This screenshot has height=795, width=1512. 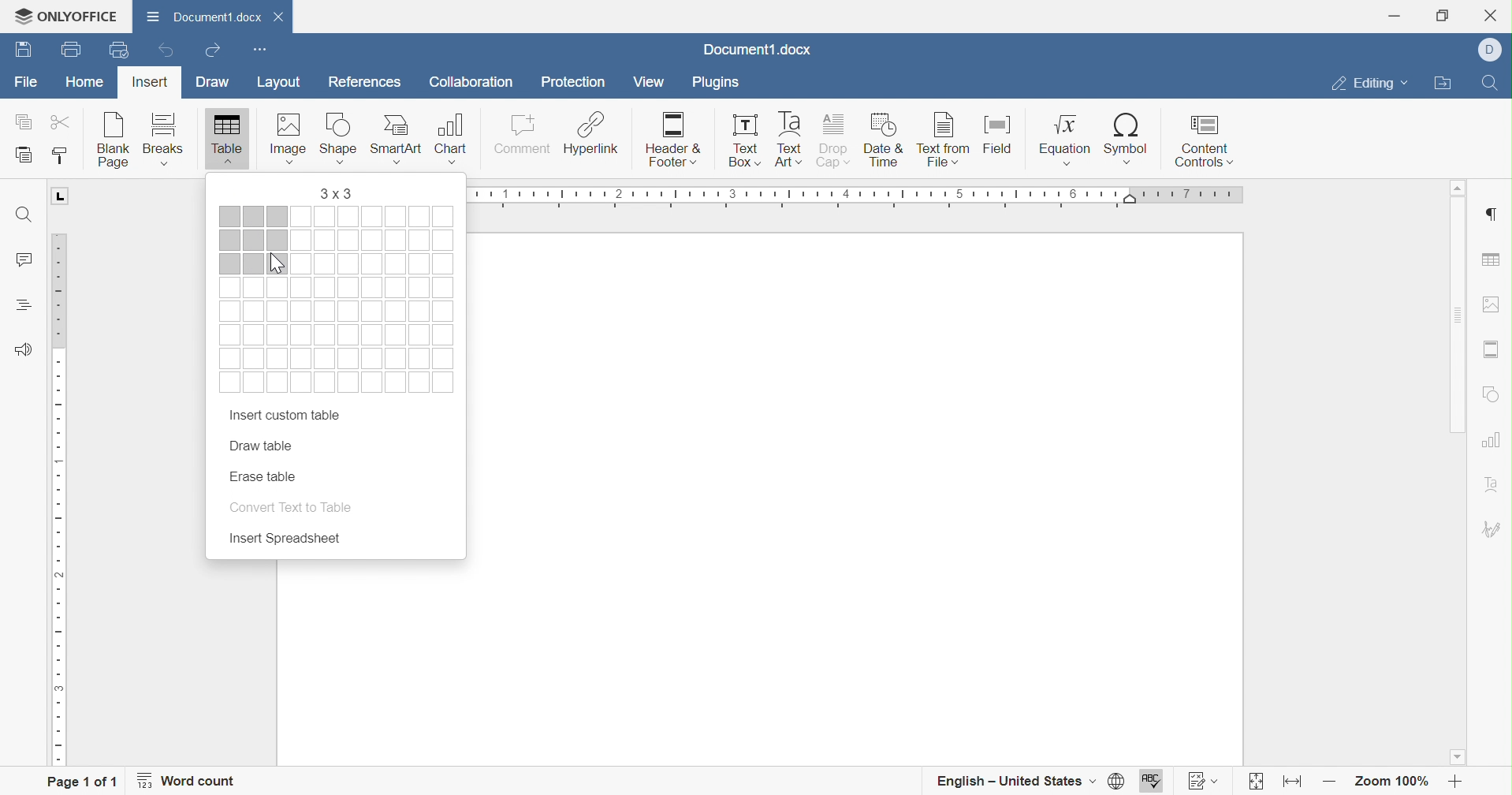 I want to click on English - United States, so click(x=1015, y=779).